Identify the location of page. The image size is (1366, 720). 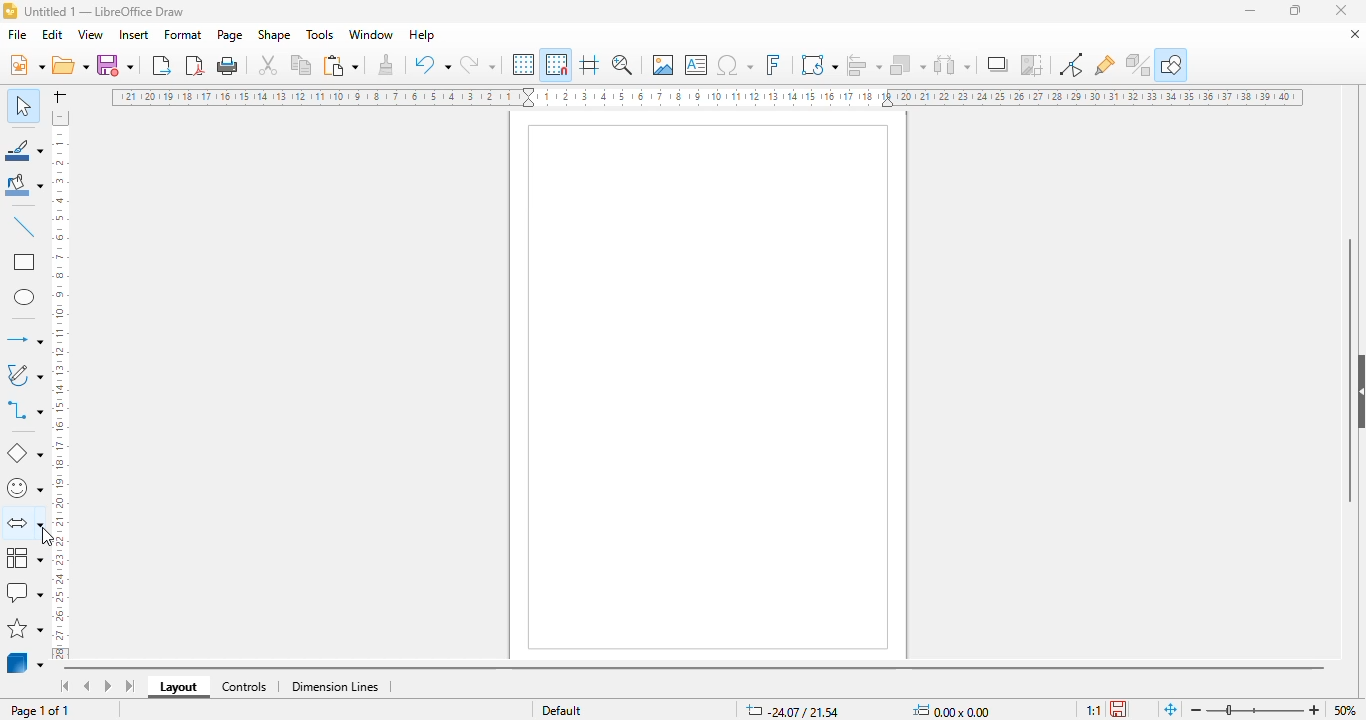
(708, 386).